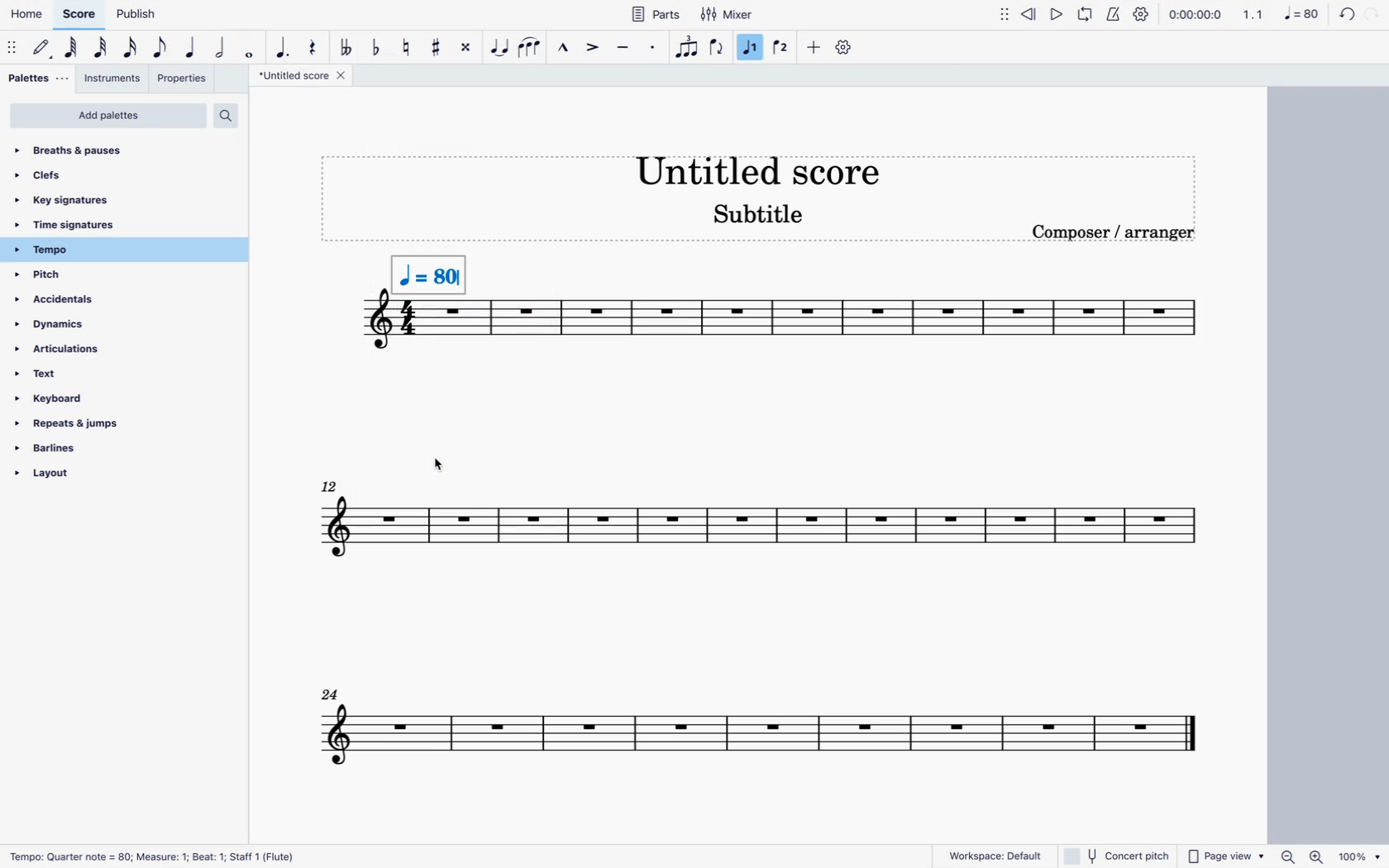  What do you see at coordinates (761, 169) in the screenshot?
I see `score title` at bounding box center [761, 169].